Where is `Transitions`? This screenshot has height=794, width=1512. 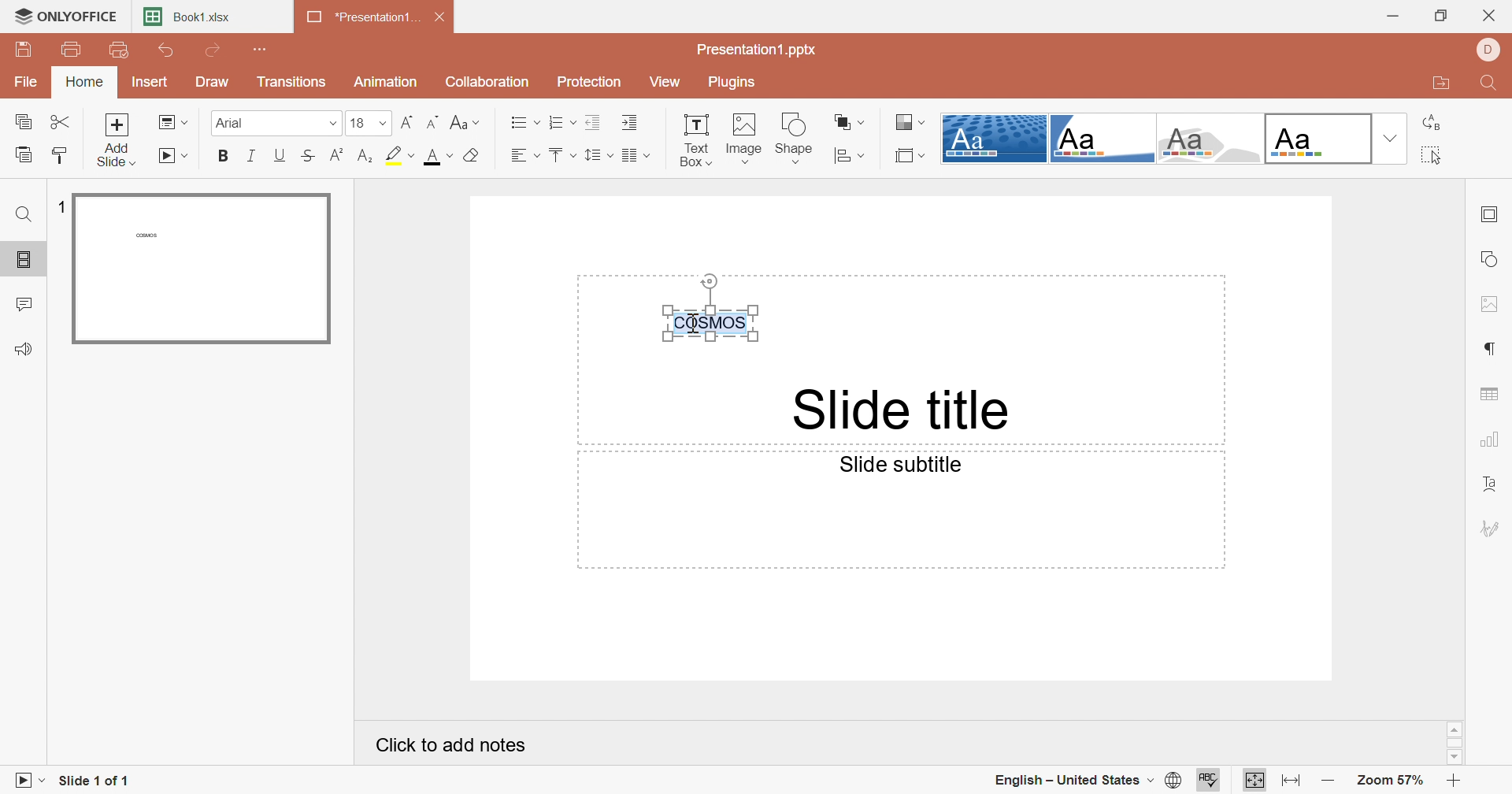 Transitions is located at coordinates (291, 83).